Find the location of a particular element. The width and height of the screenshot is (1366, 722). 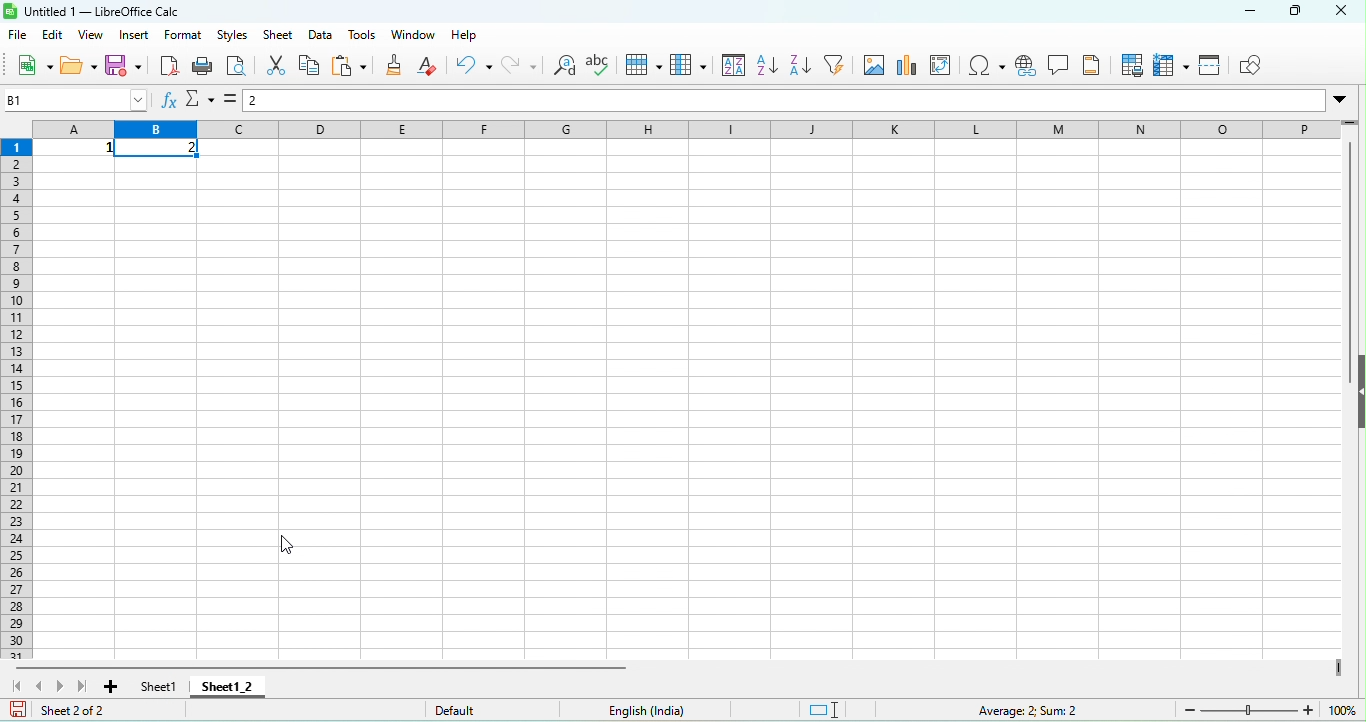

row is located at coordinates (647, 68).